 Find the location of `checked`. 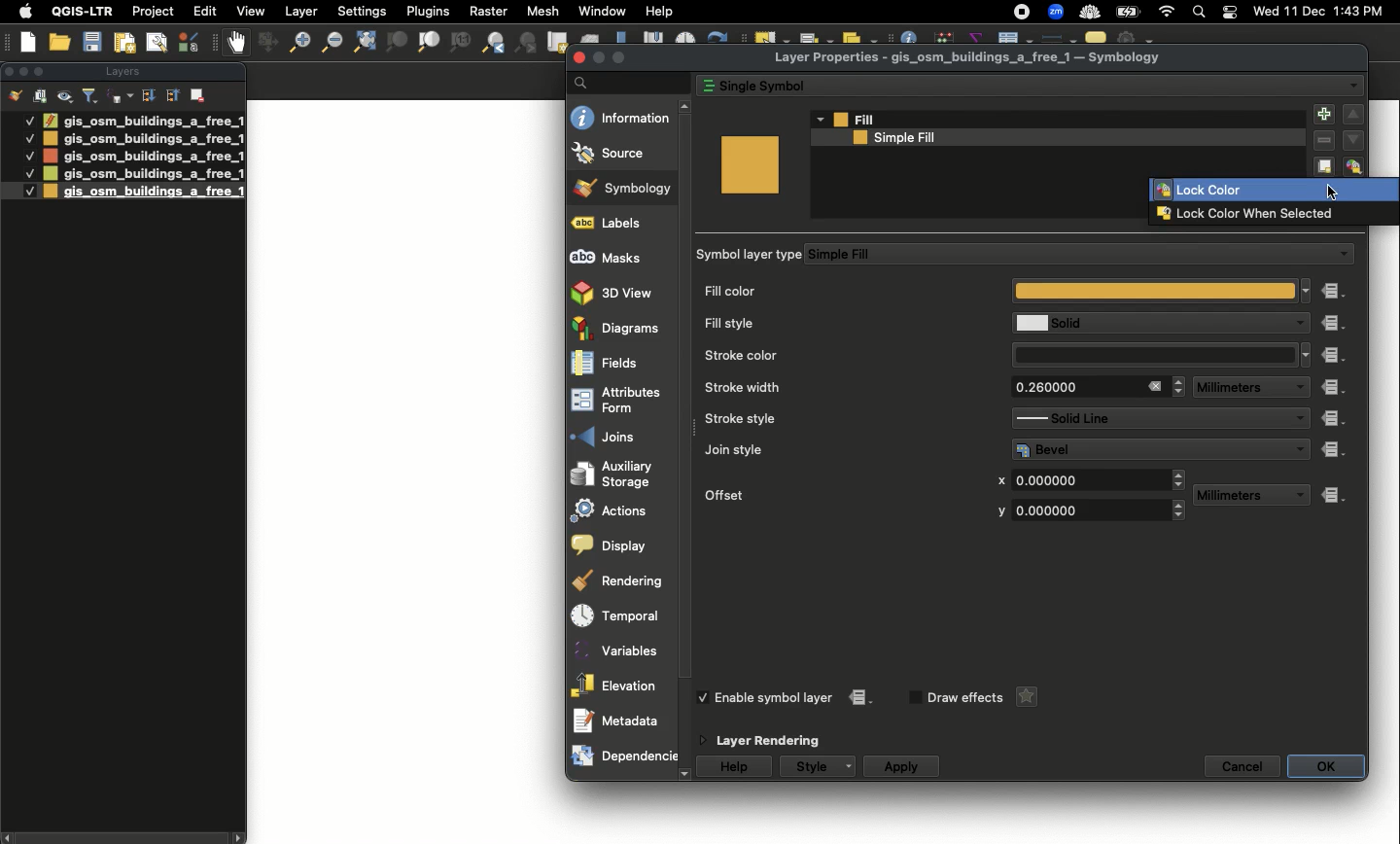

checked is located at coordinates (707, 697).